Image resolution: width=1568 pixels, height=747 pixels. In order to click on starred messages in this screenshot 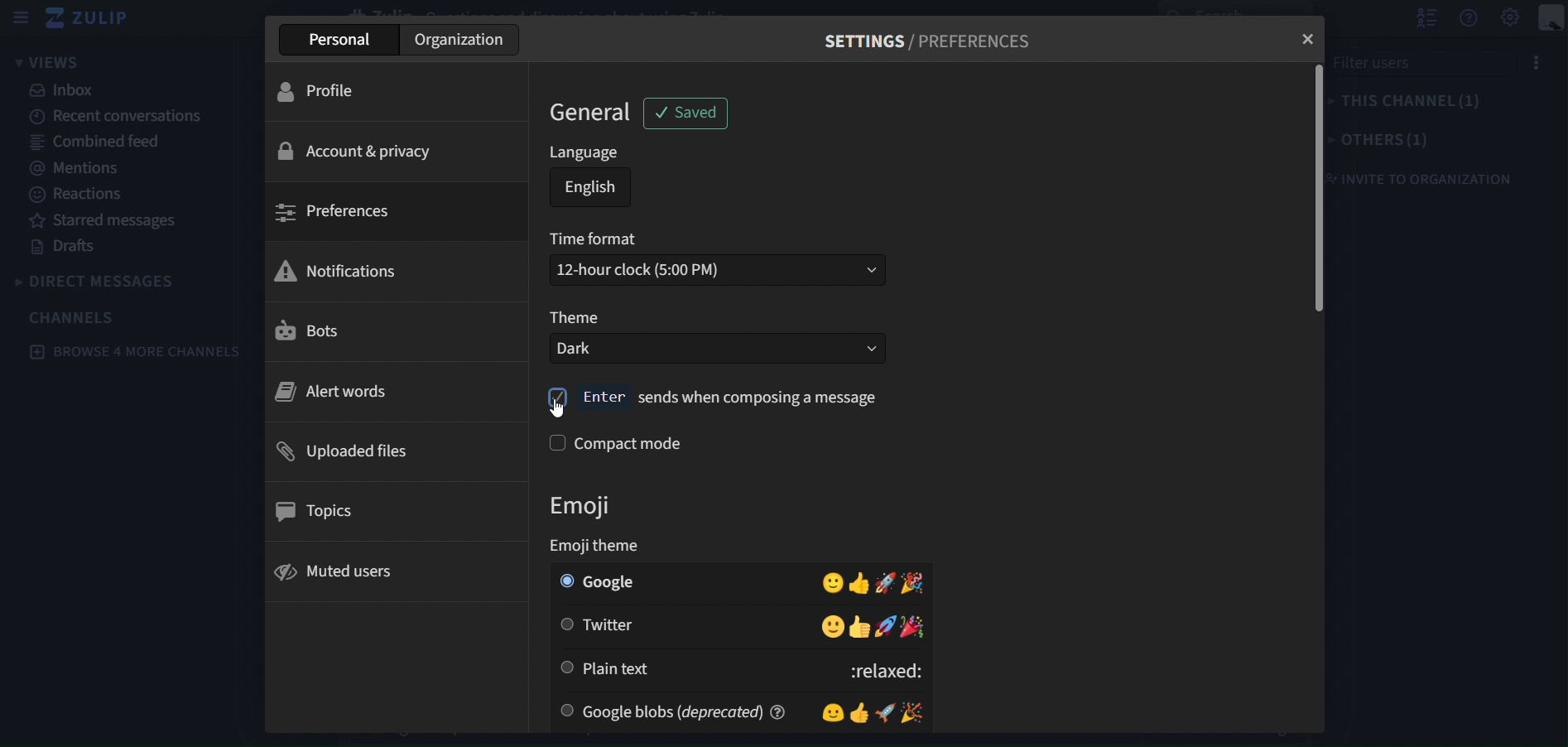, I will do `click(103, 221)`.